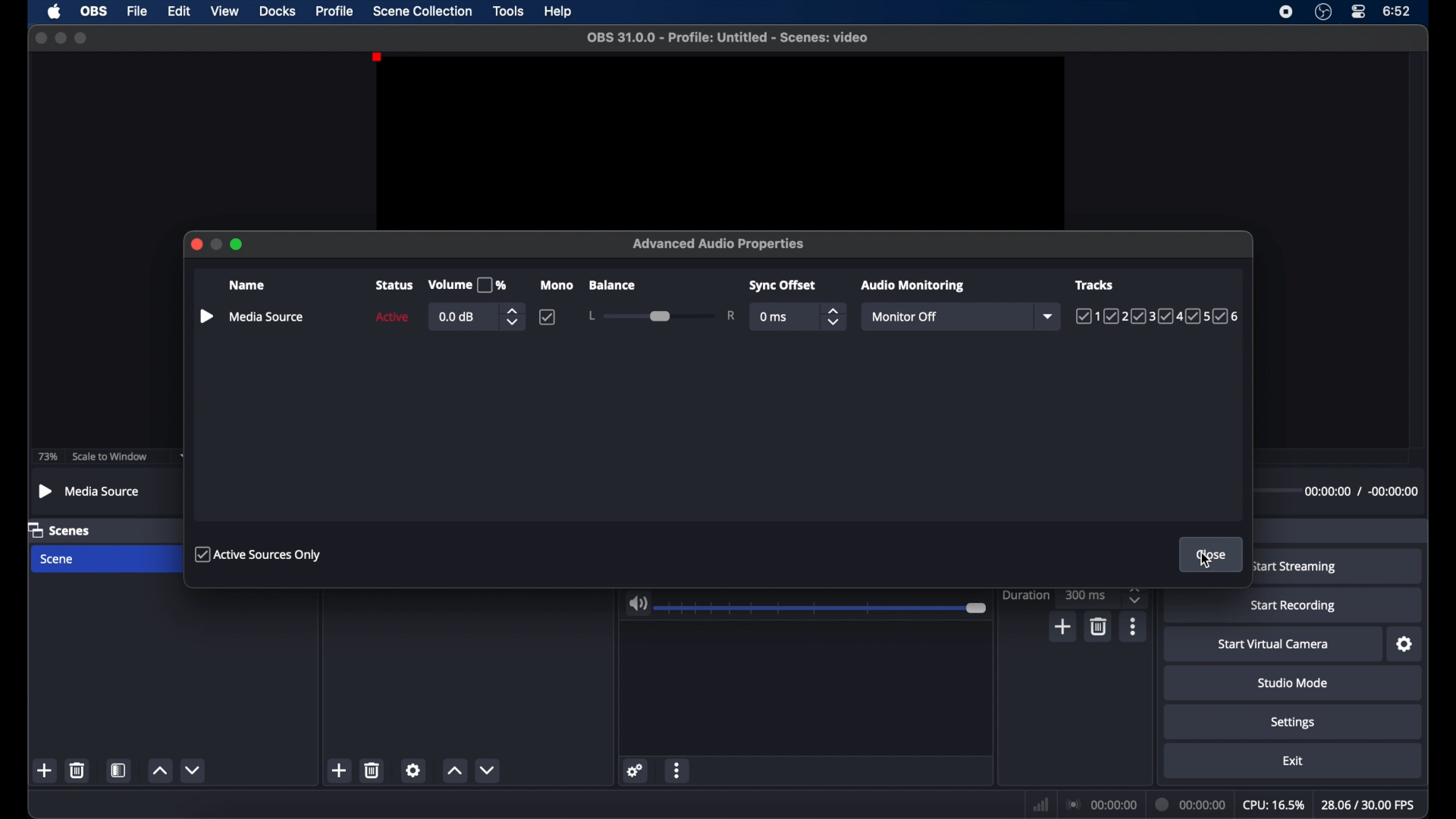  I want to click on duration, so click(1192, 803).